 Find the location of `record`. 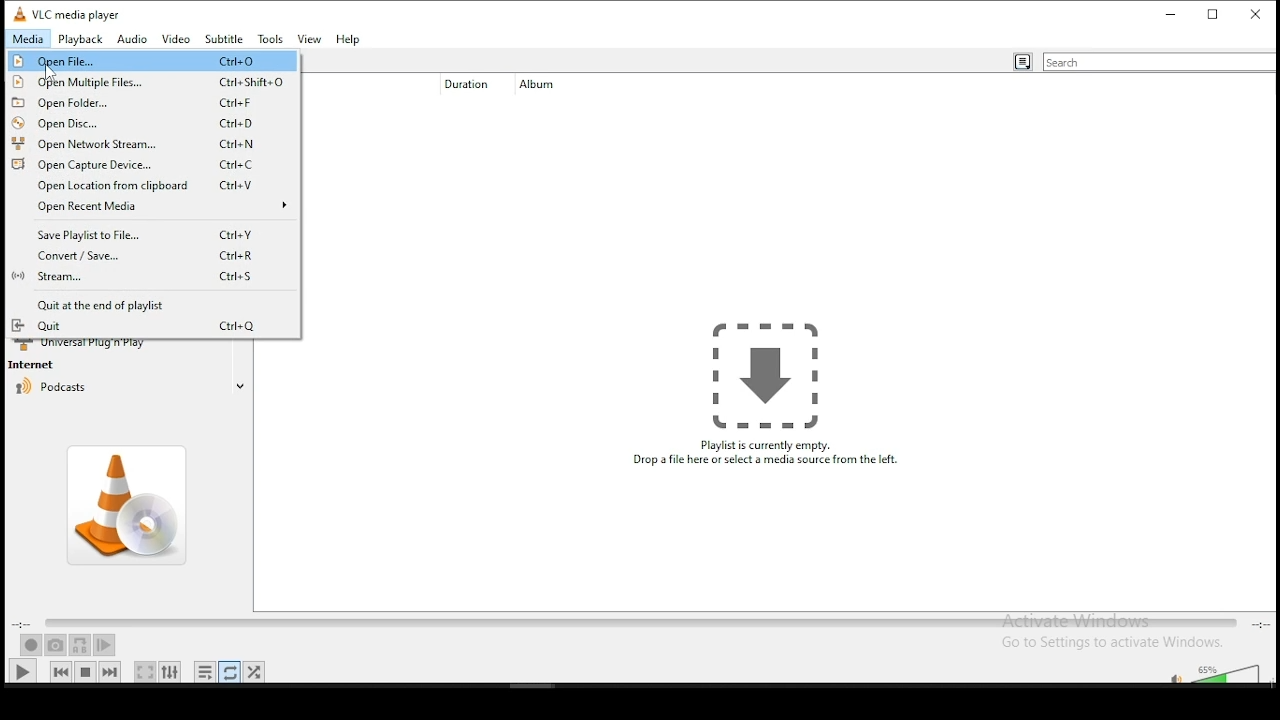

record is located at coordinates (31, 645).